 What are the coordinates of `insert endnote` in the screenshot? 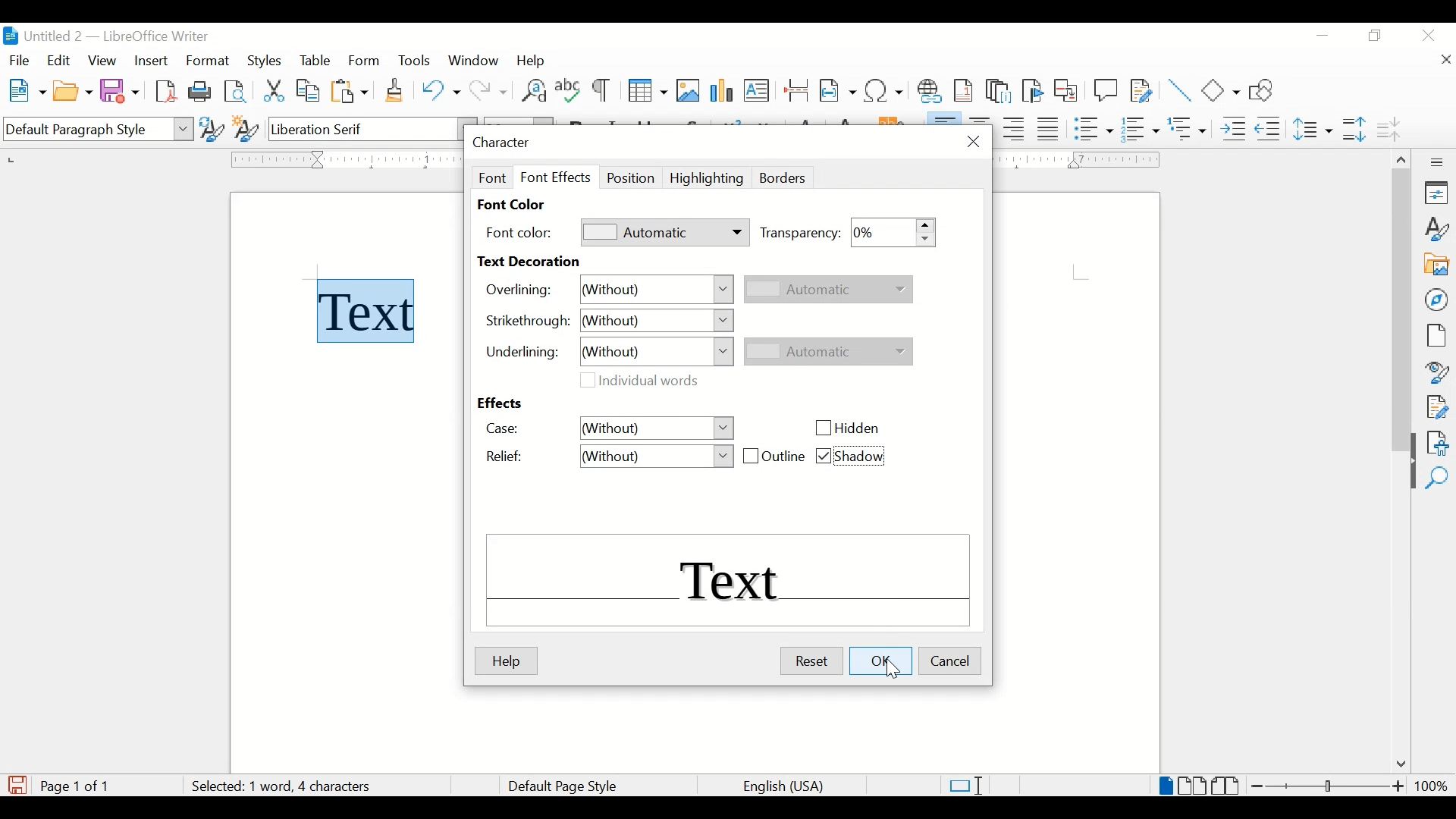 It's located at (999, 91).